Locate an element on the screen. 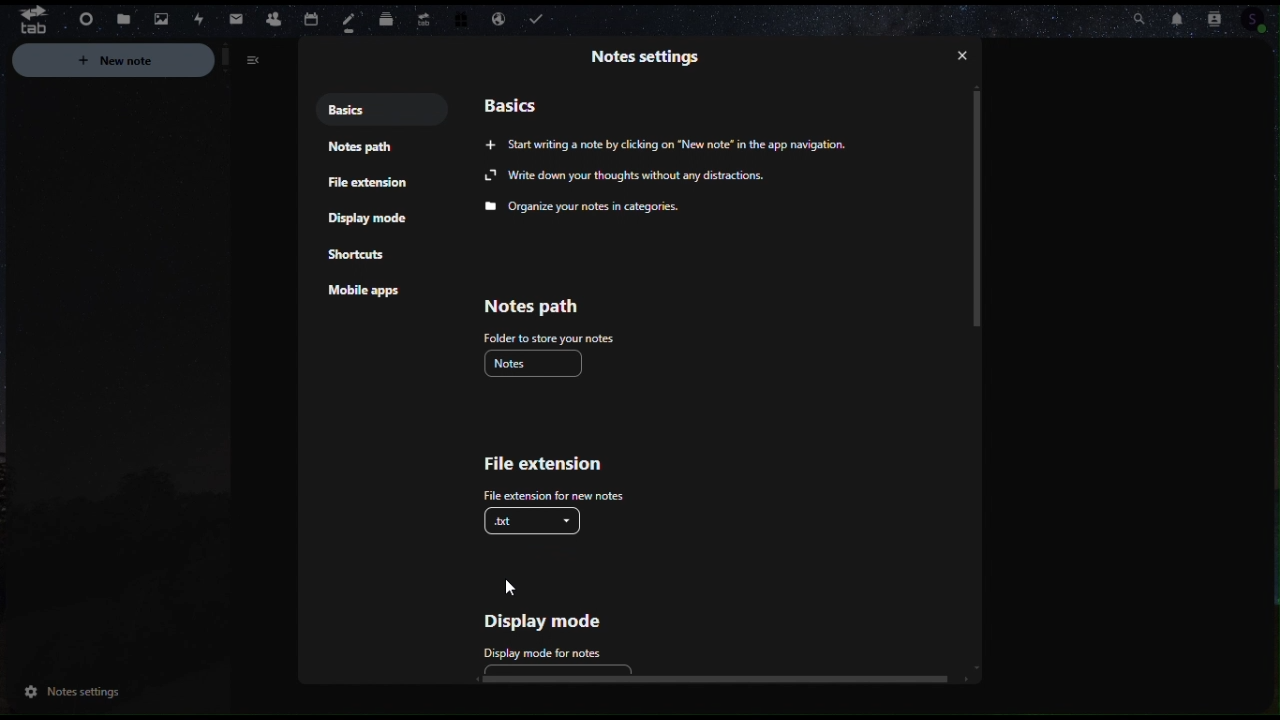 This screenshot has width=1280, height=720. folder to store your notes is located at coordinates (548, 337).